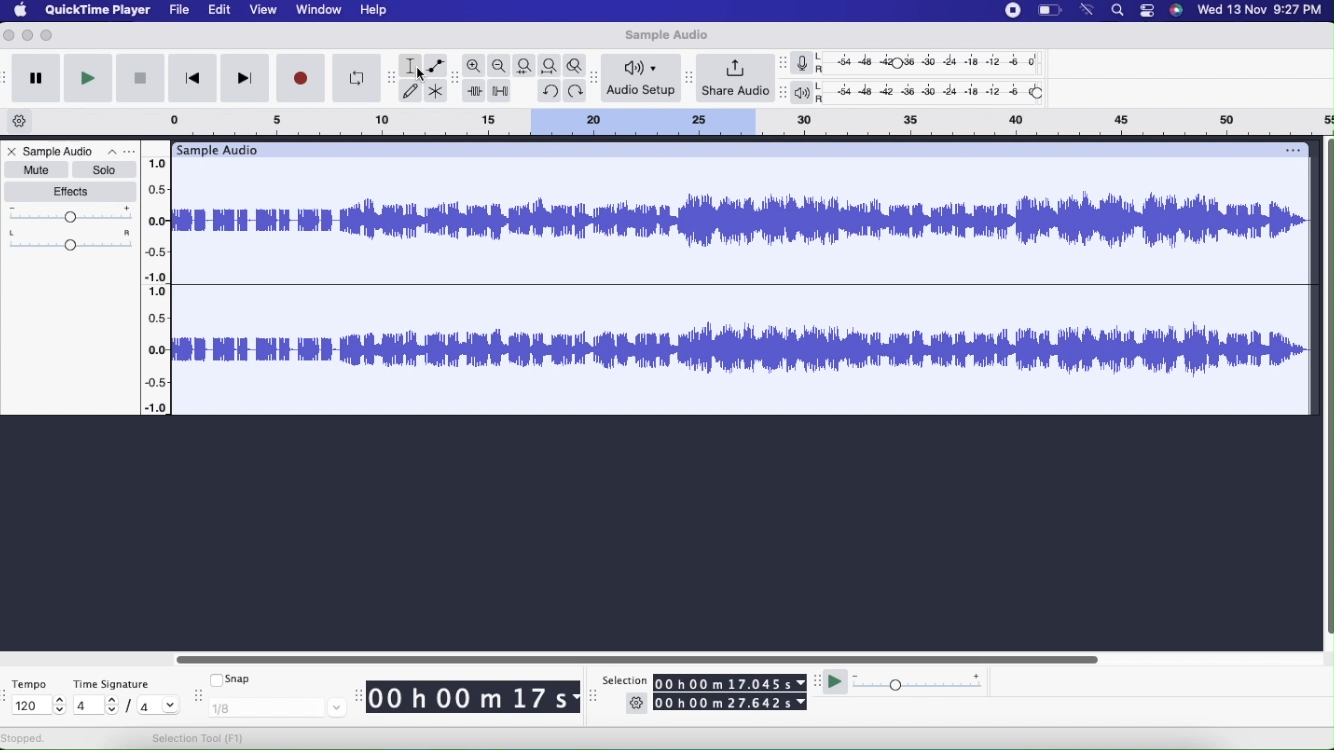 The image size is (1334, 750). I want to click on Sample Audio, so click(664, 35).